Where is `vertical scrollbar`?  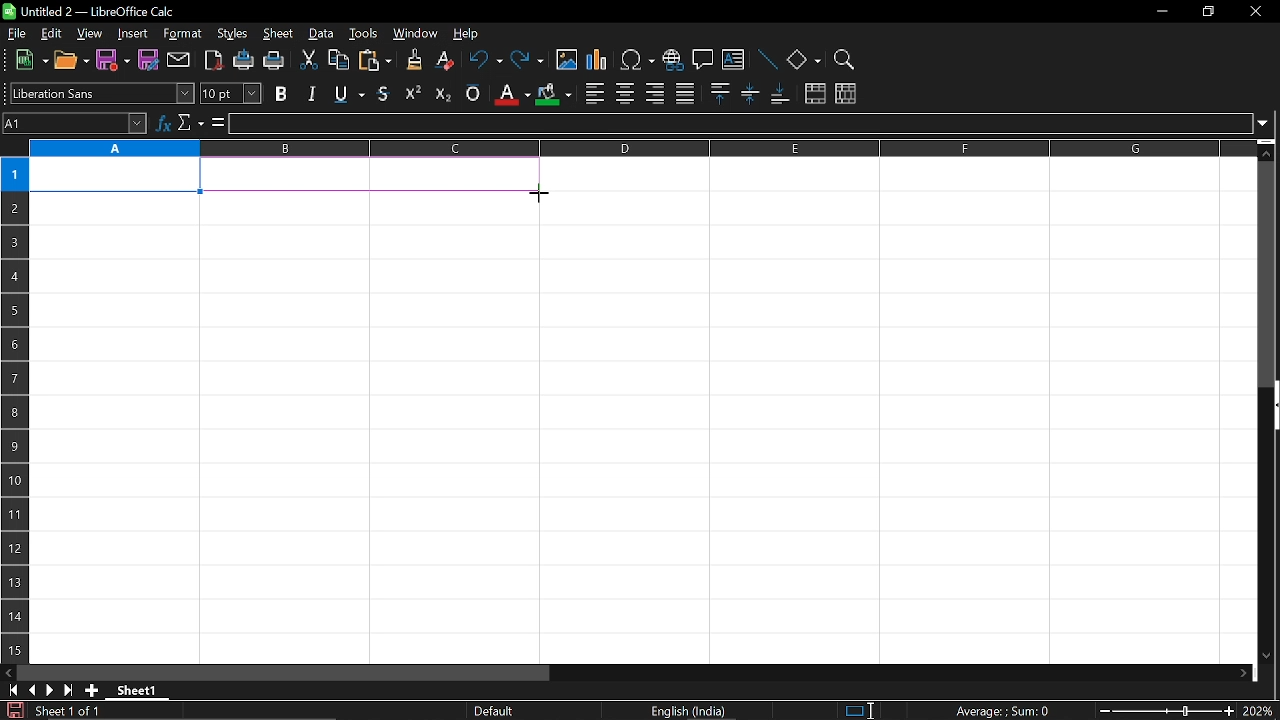 vertical scrollbar is located at coordinates (1268, 274).